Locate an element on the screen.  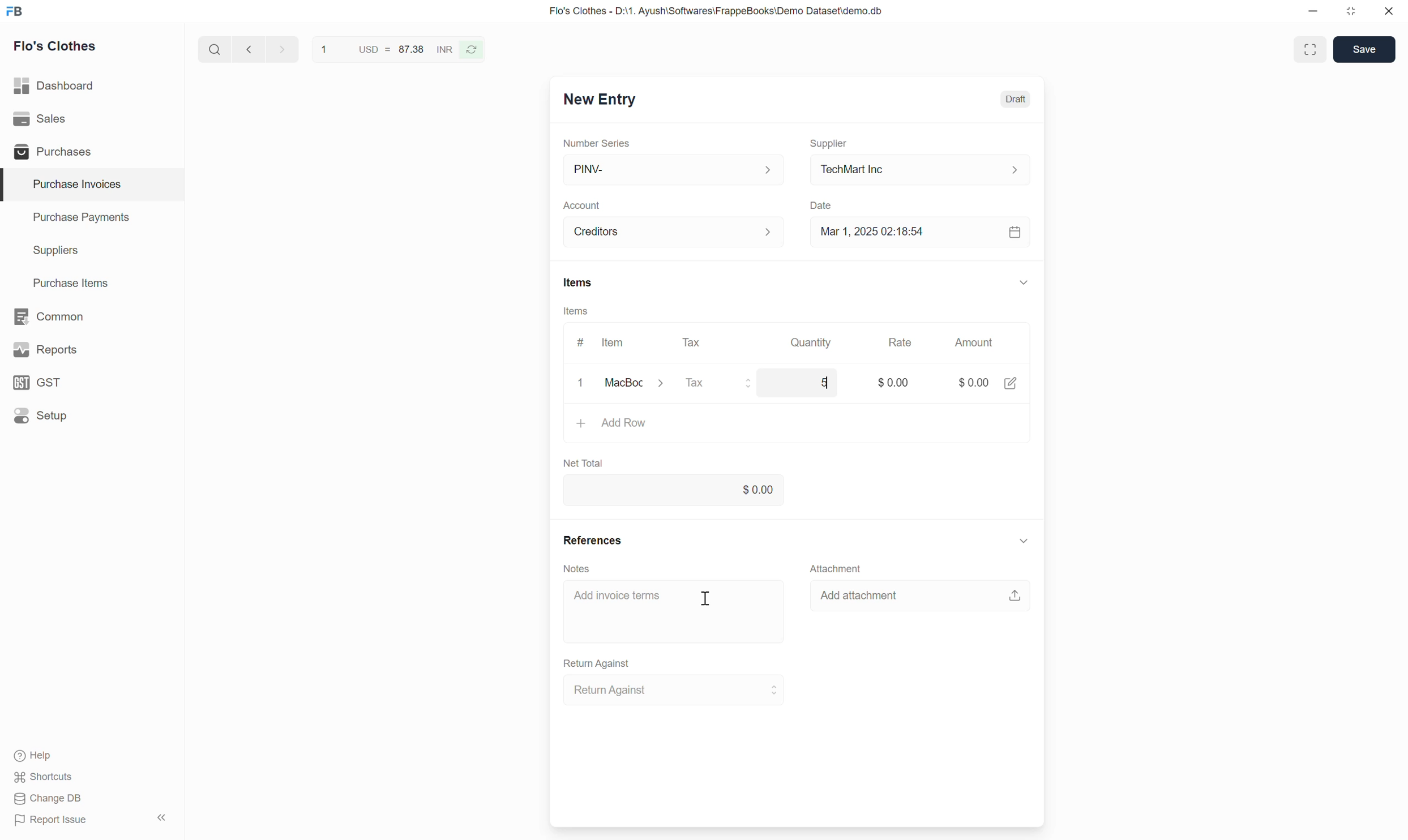
Draft is located at coordinates (1016, 100).